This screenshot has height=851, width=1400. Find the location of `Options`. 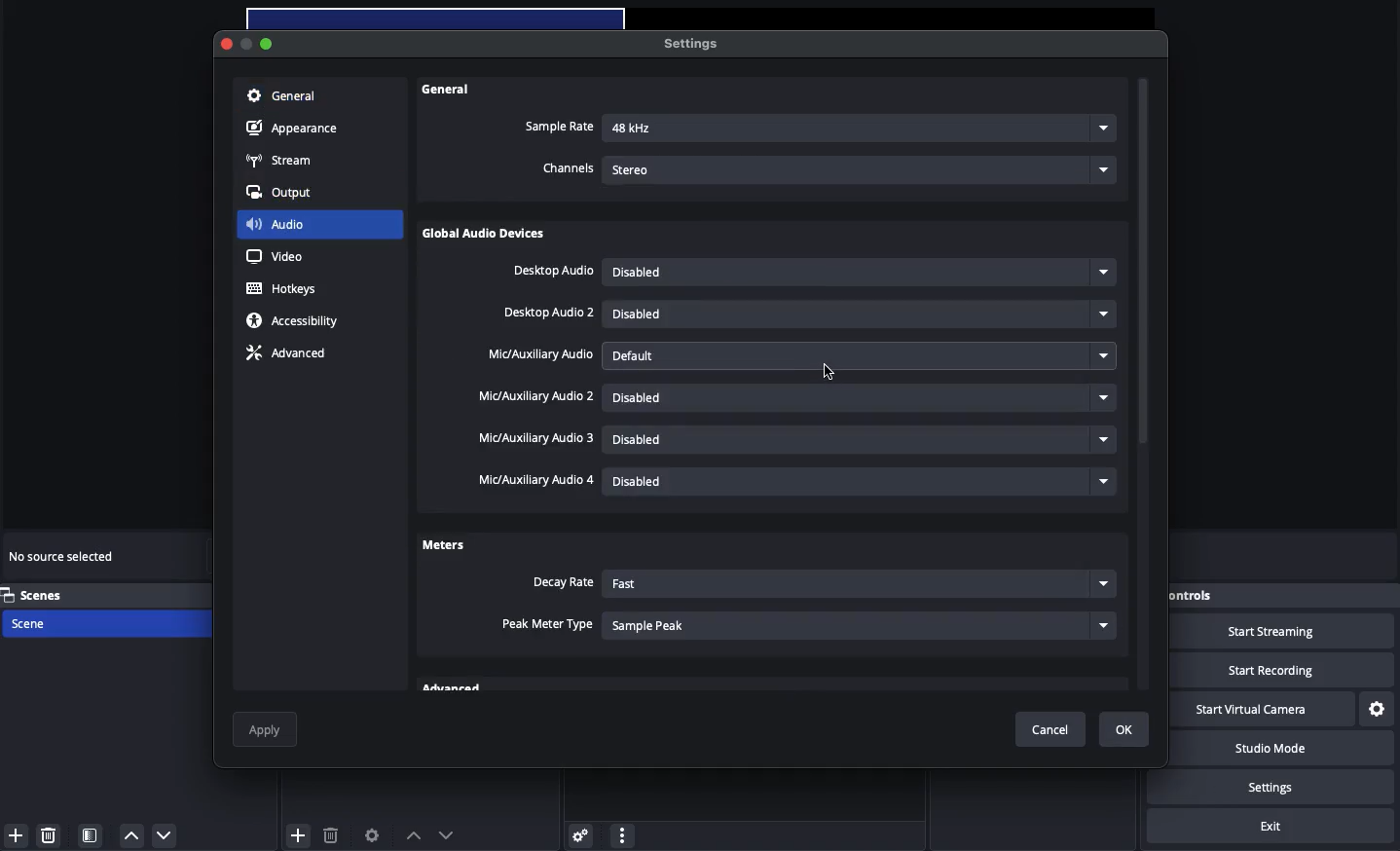

Options is located at coordinates (622, 832).